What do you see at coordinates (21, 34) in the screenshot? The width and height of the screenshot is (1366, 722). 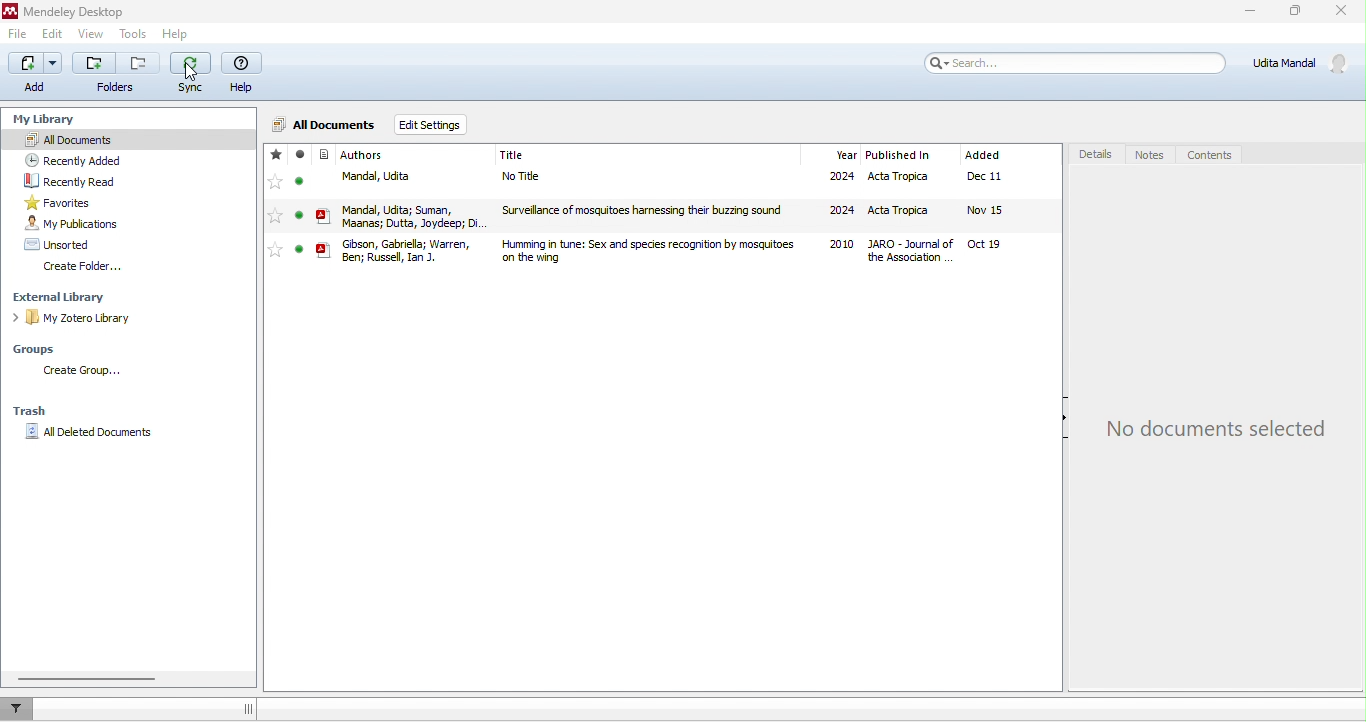 I see `file` at bounding box center [21, 34].